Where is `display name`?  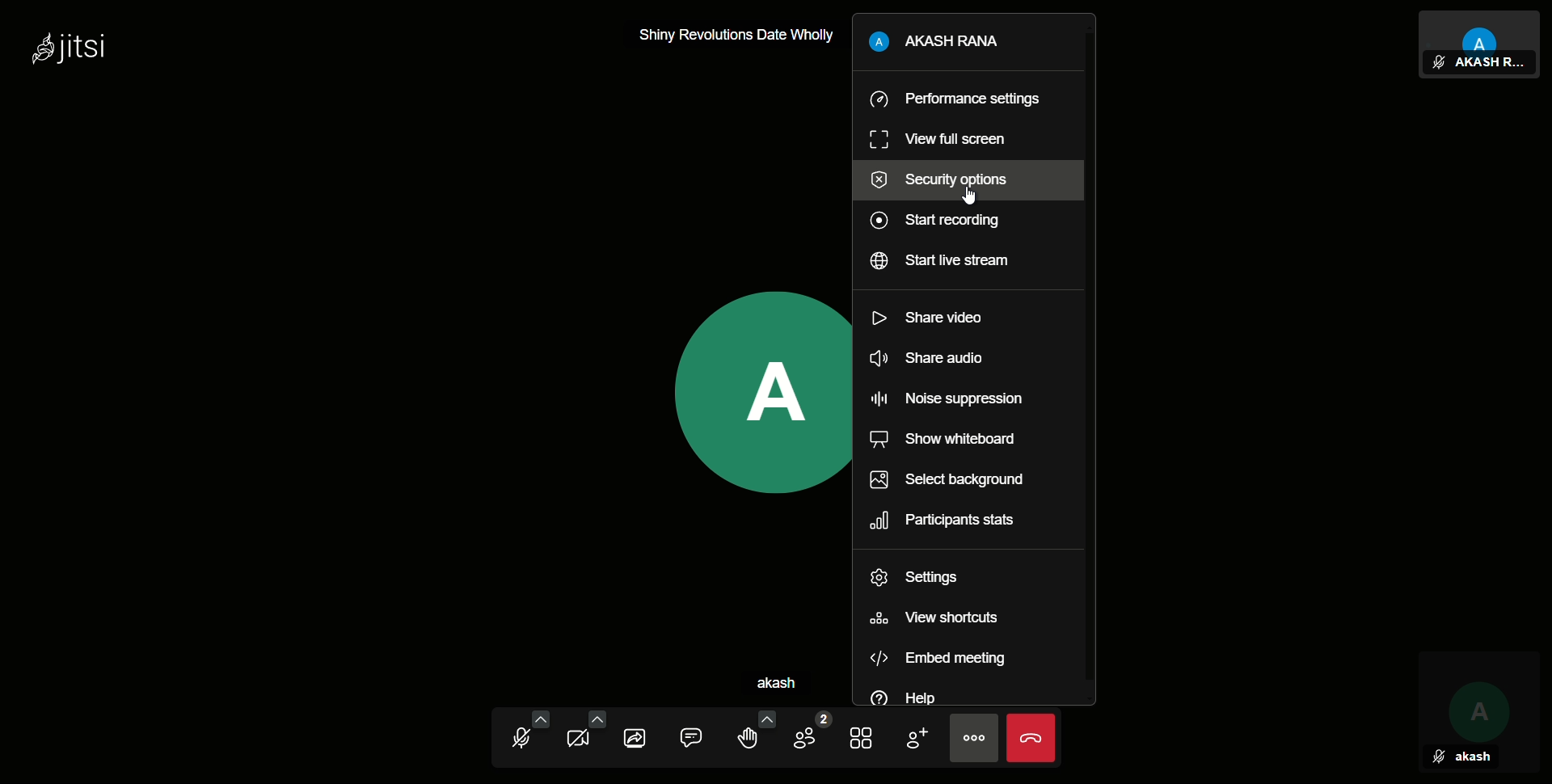
display name is located at coordinates (794, 683).